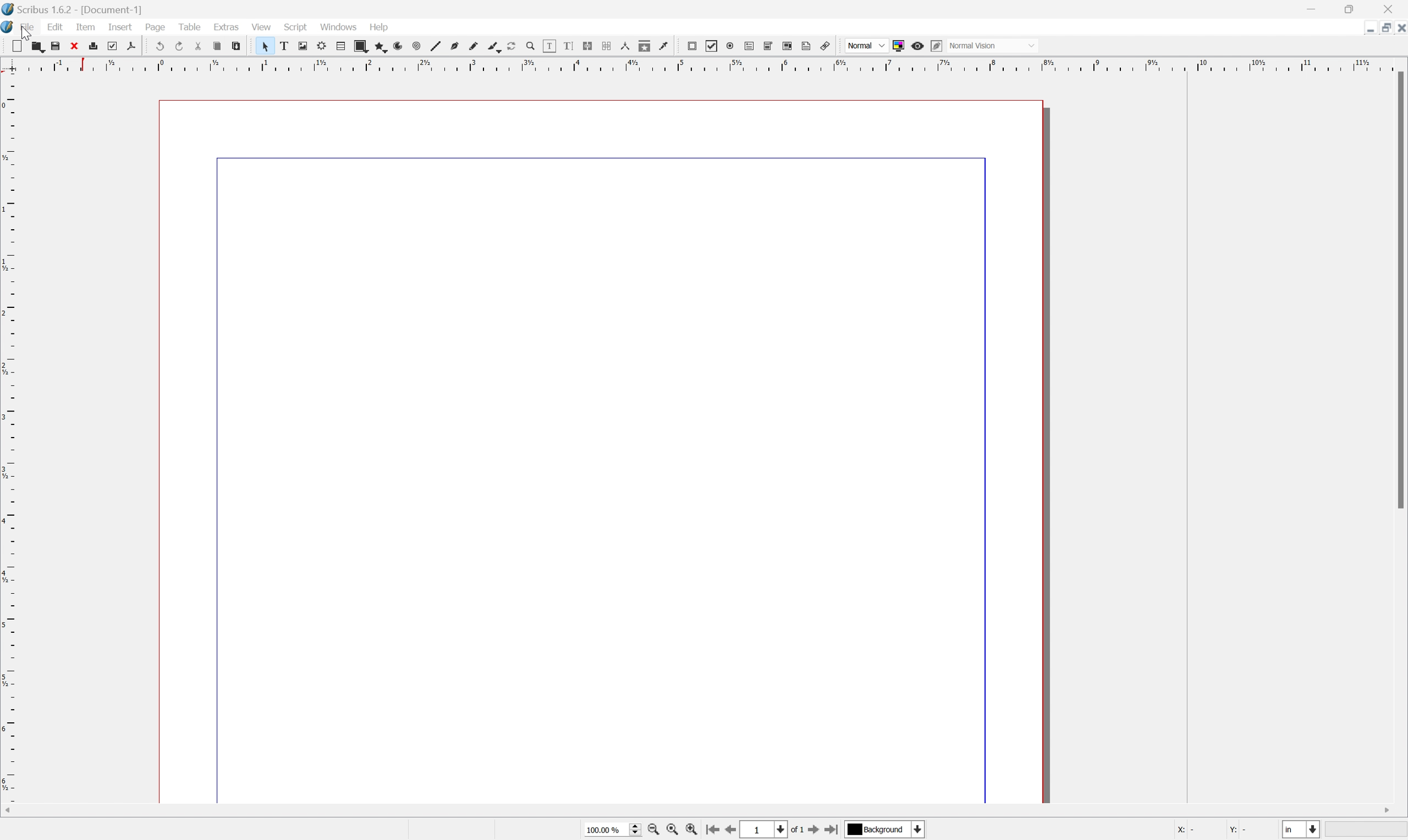 The width and height of the screenshot is (1408, 840). I want to click on Restore down, so click(1380, 27).